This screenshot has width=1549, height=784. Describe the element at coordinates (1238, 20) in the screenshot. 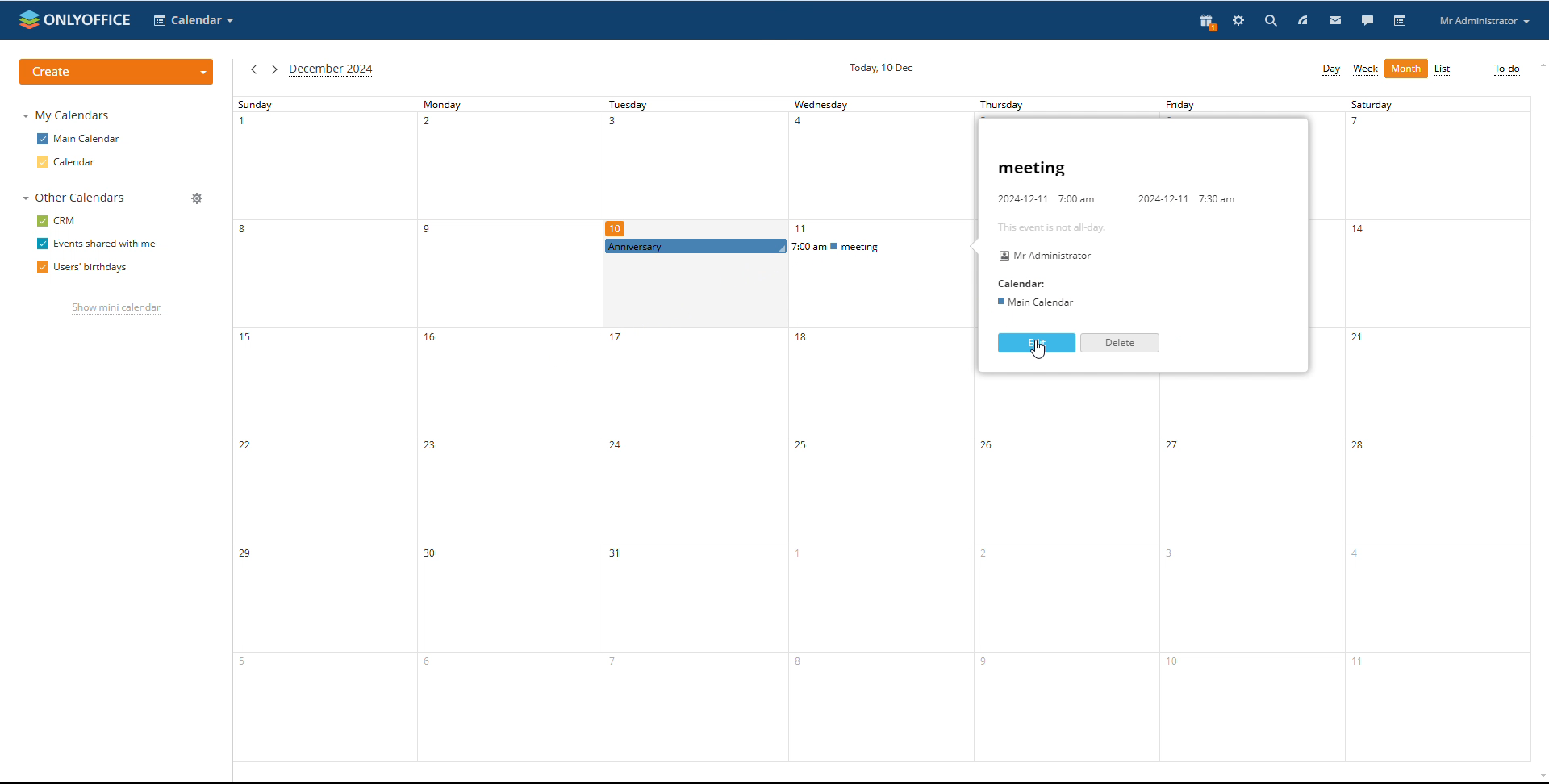

I see `settings` at that location.